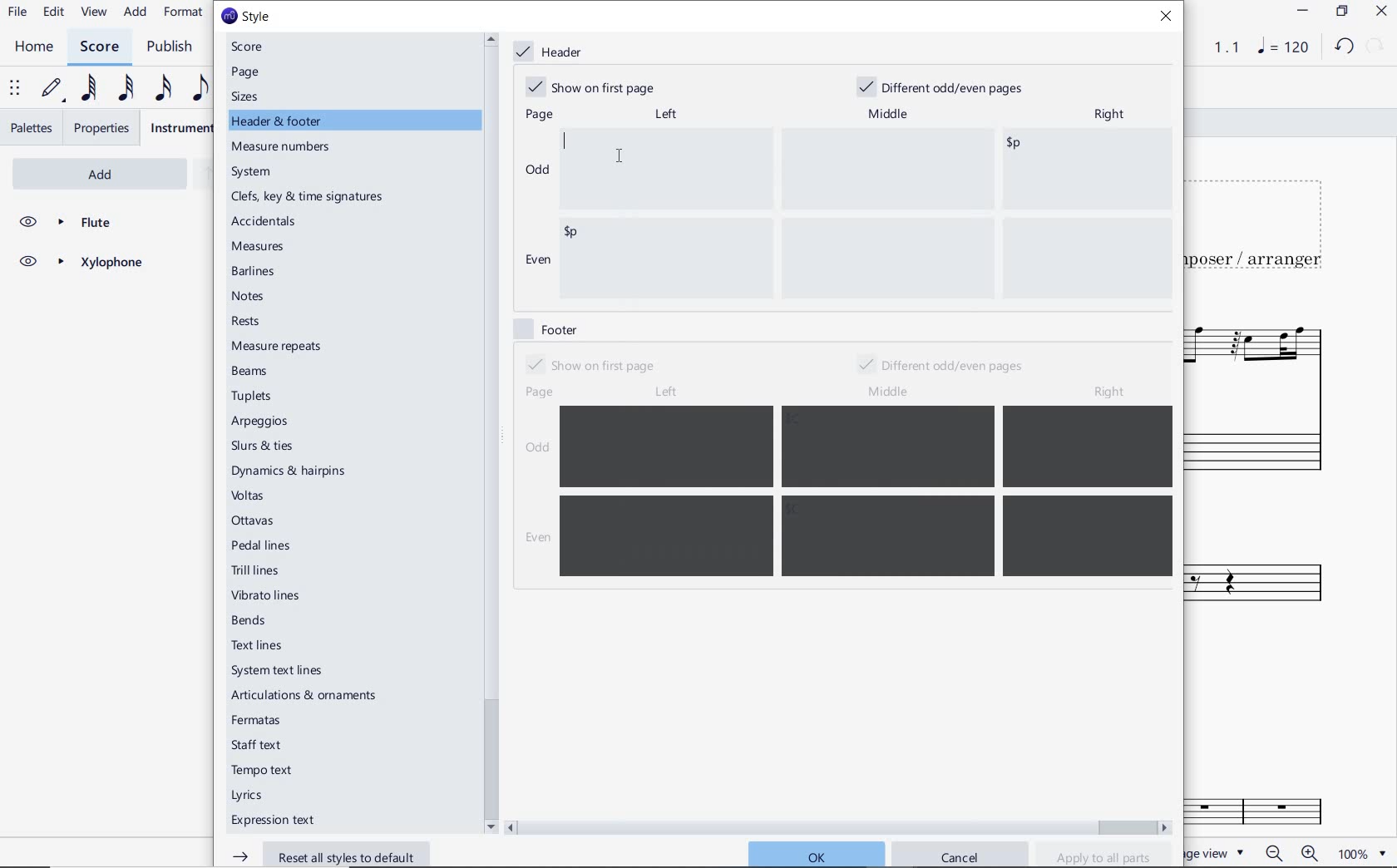 Image resolution: width=1397 pixels, height=868 pixels. What do you see at coordinates (251, 796) in the screenshot?
I see `Lyrics` at bounding box center [251, 796].